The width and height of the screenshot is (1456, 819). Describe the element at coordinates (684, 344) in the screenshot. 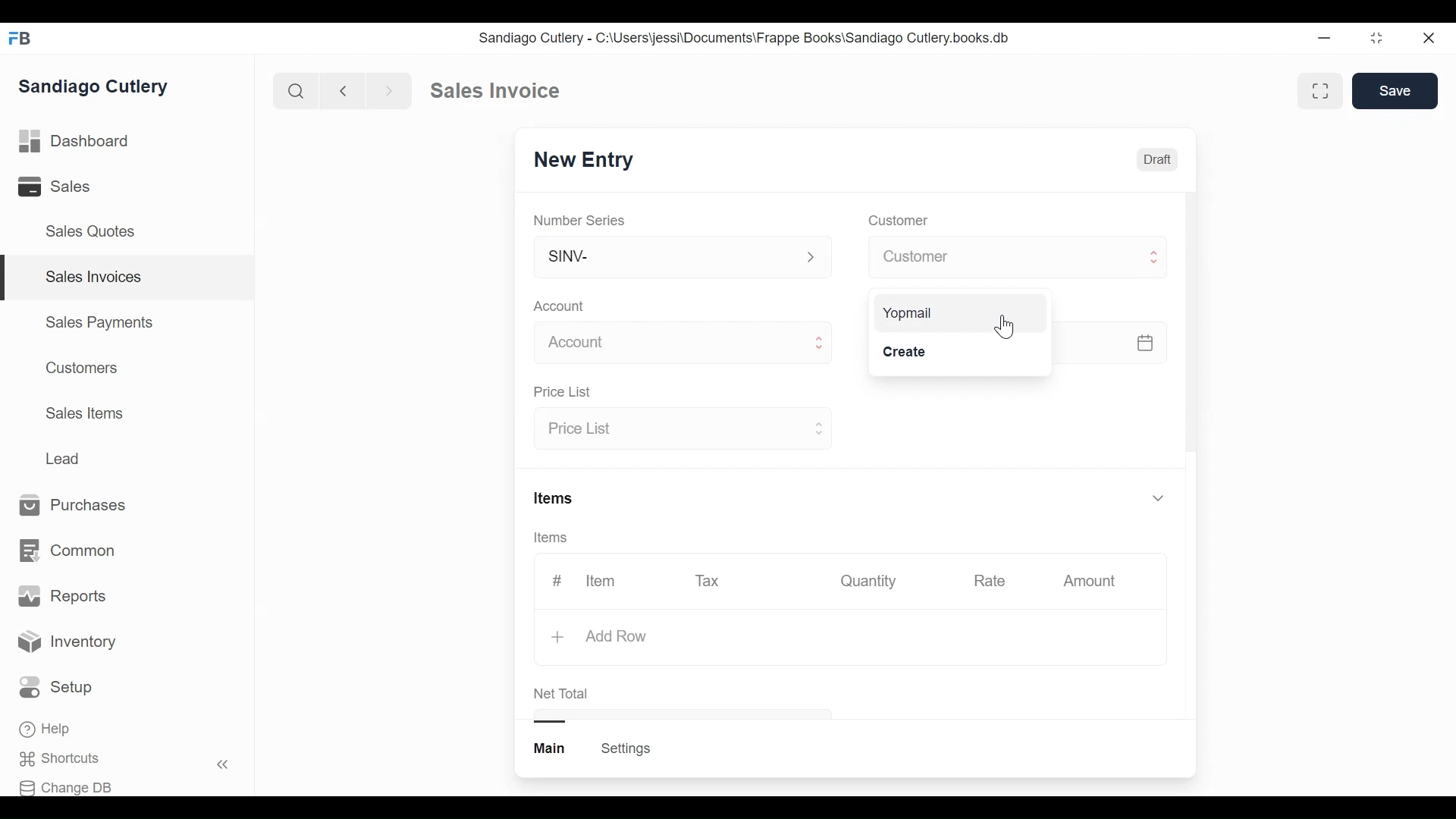

I see `Account p` at that location.